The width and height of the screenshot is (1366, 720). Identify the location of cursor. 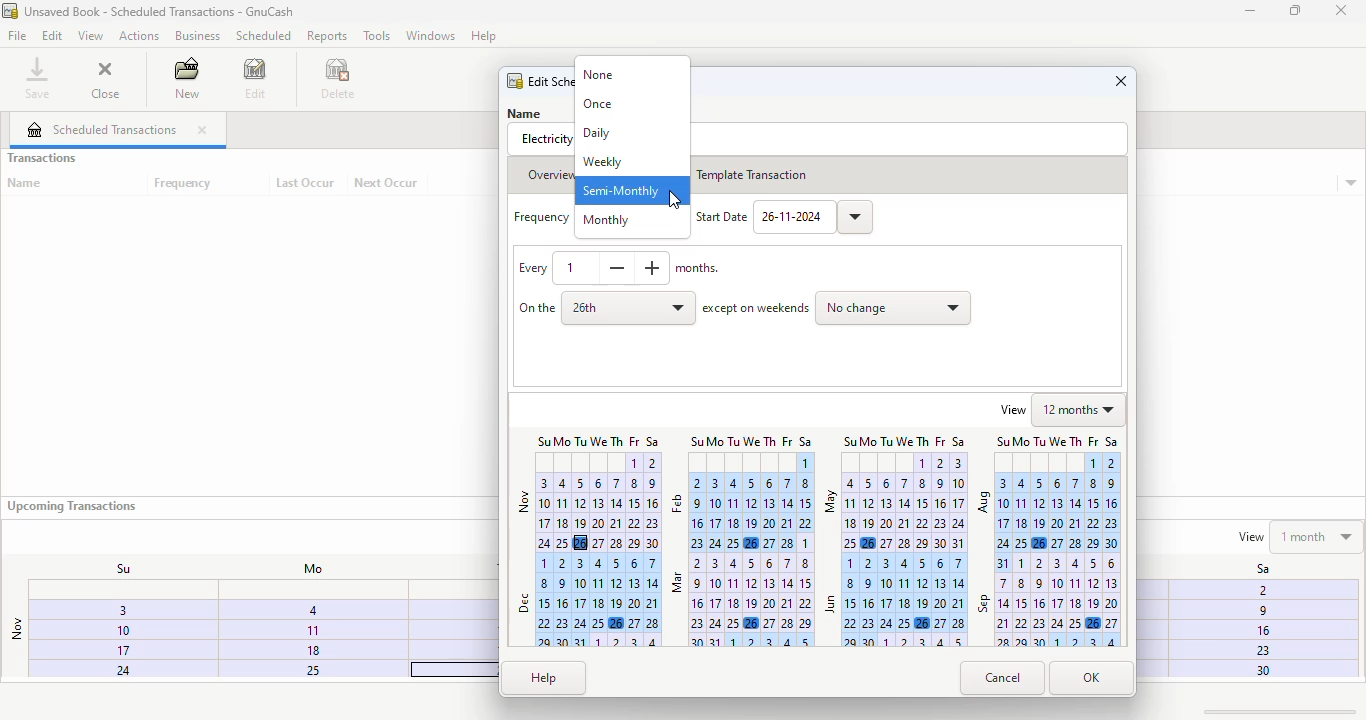
(676, 200).